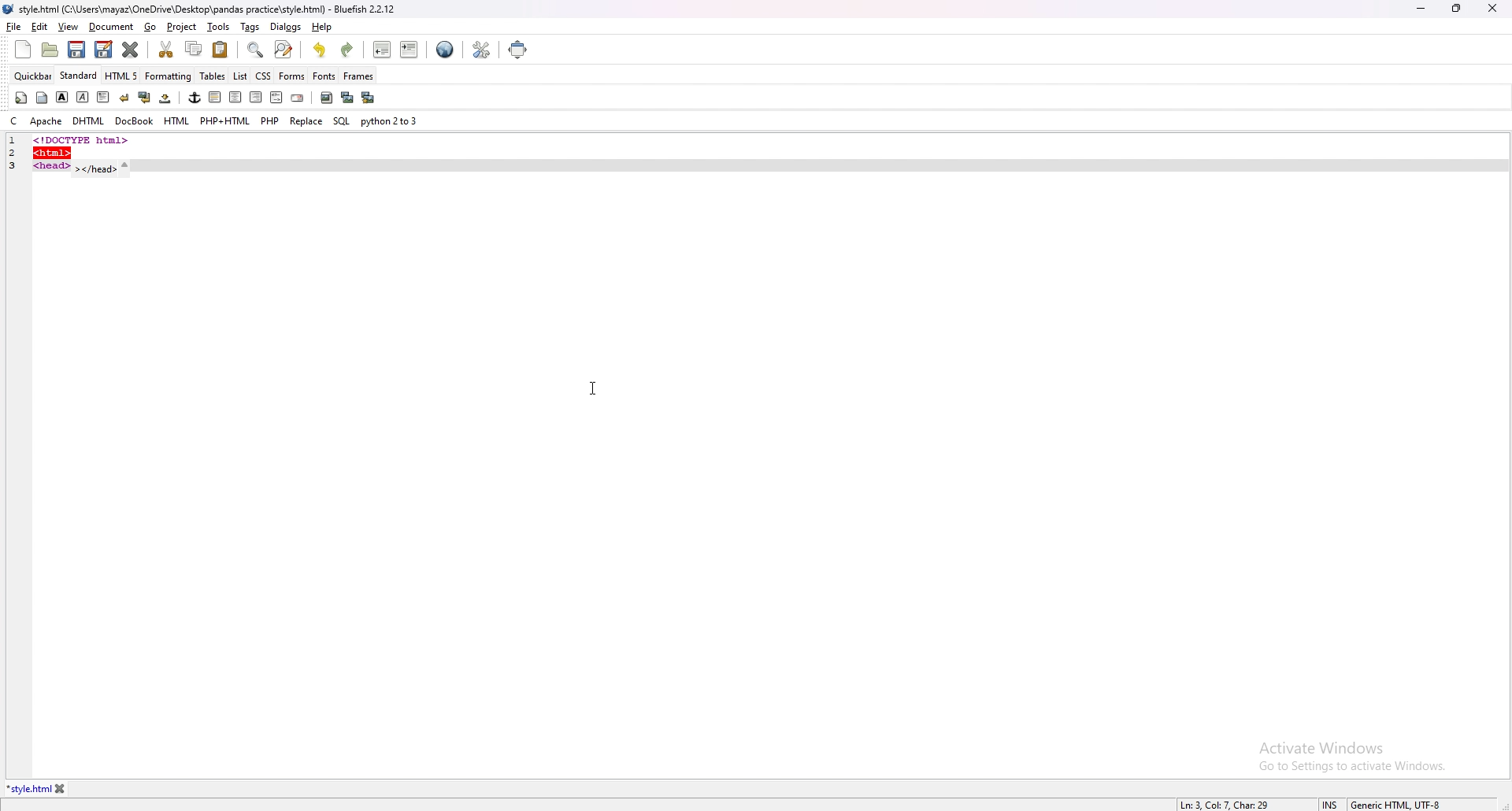  Describe the element at coordinates (283, 49) in the screenshot. I see `advanced find and replace` at that location.